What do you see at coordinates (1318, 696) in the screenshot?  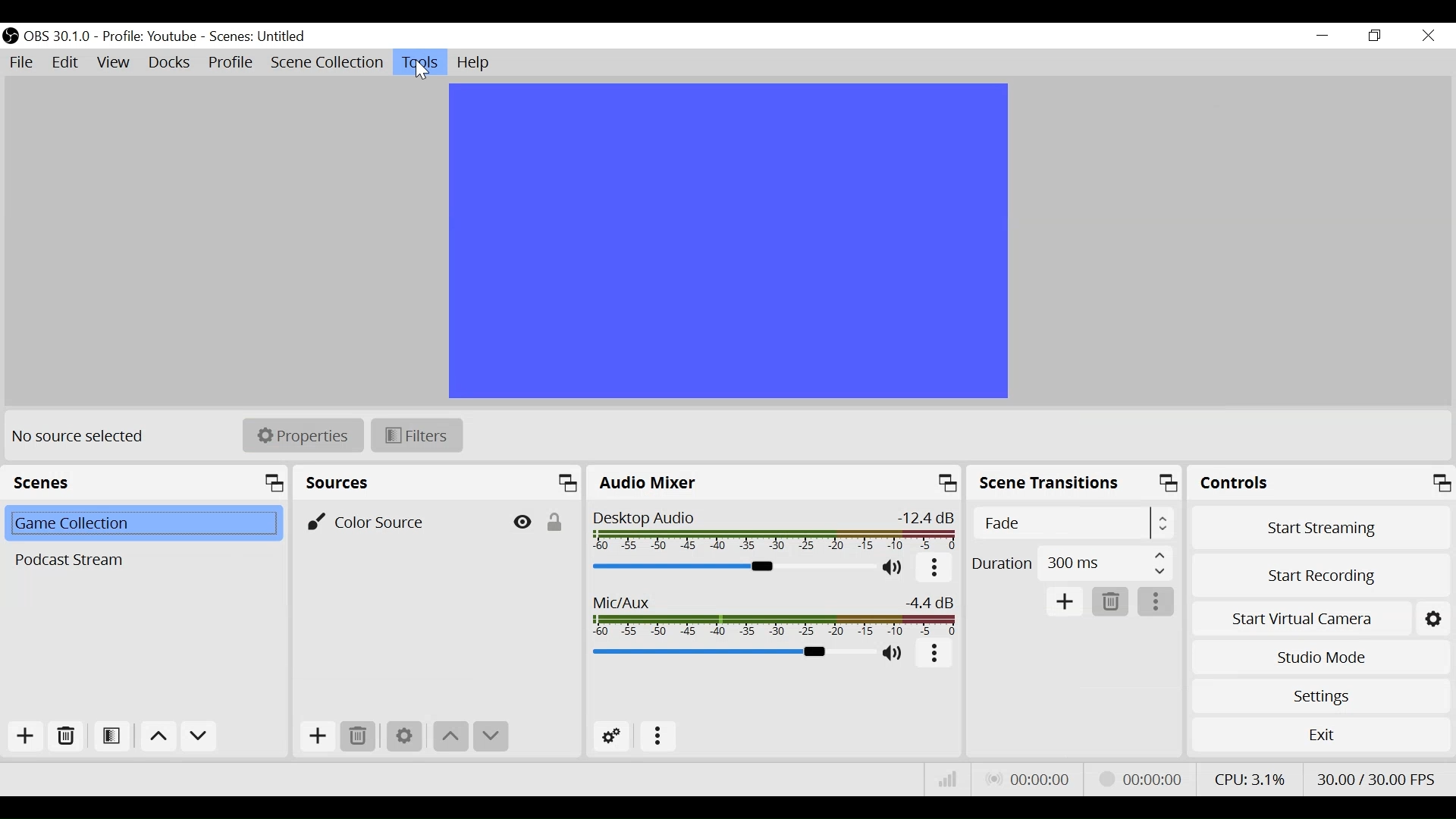 I see `Settings` at bounding box center [1318, 696].